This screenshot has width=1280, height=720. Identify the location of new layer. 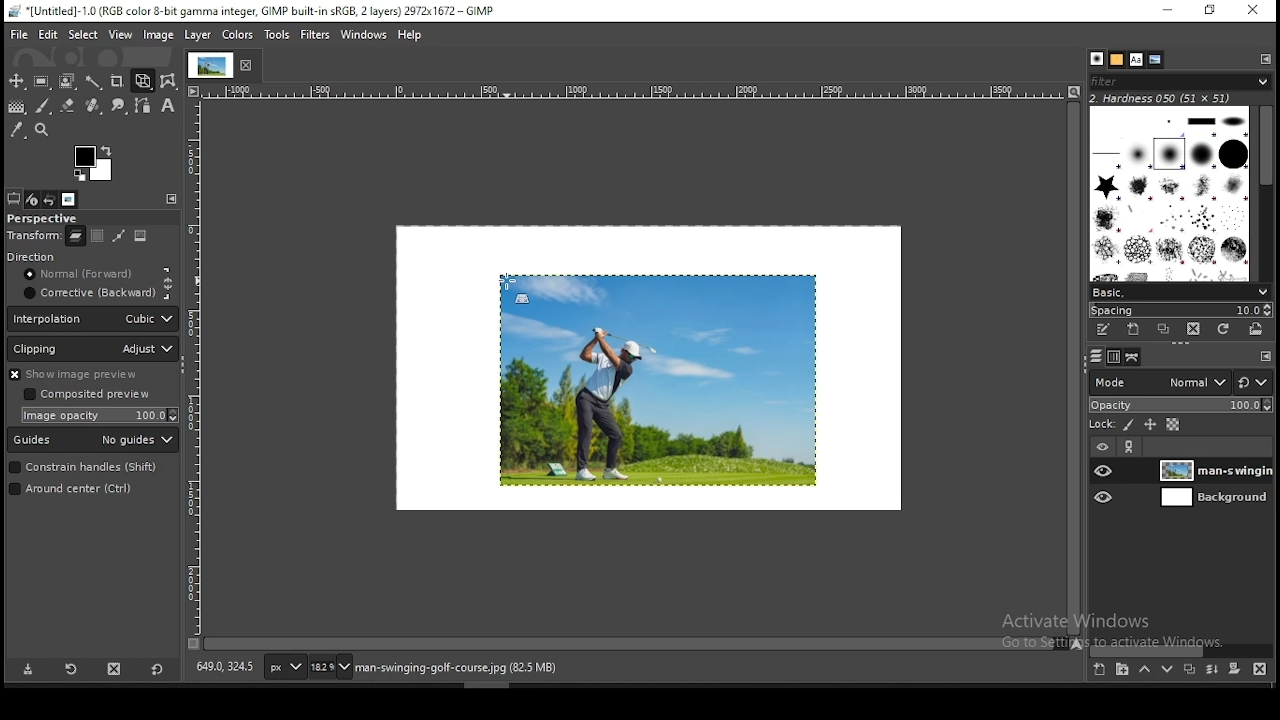
(1098, 669).